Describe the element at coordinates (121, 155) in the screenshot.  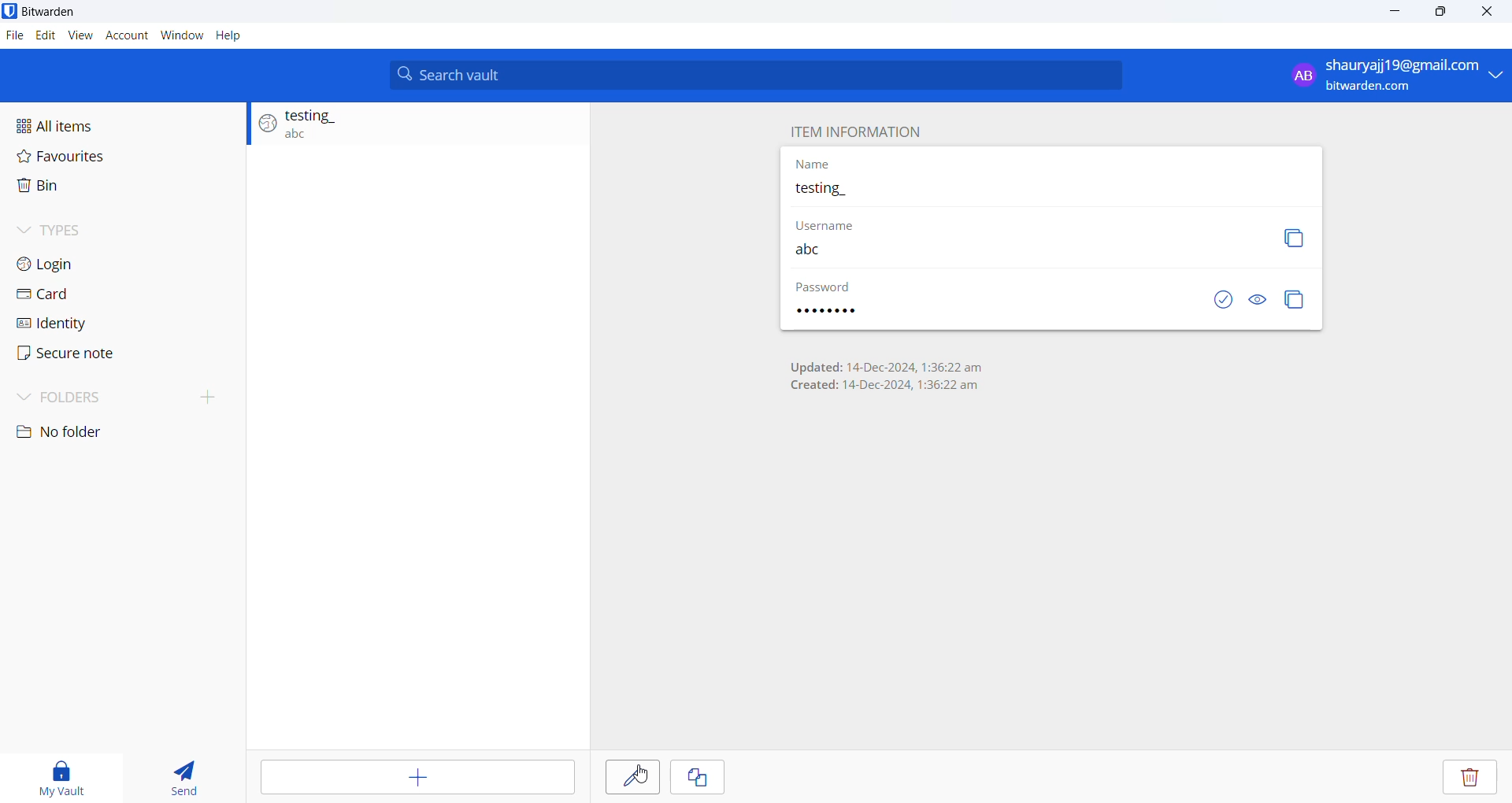
I see `Favourites` at that location.